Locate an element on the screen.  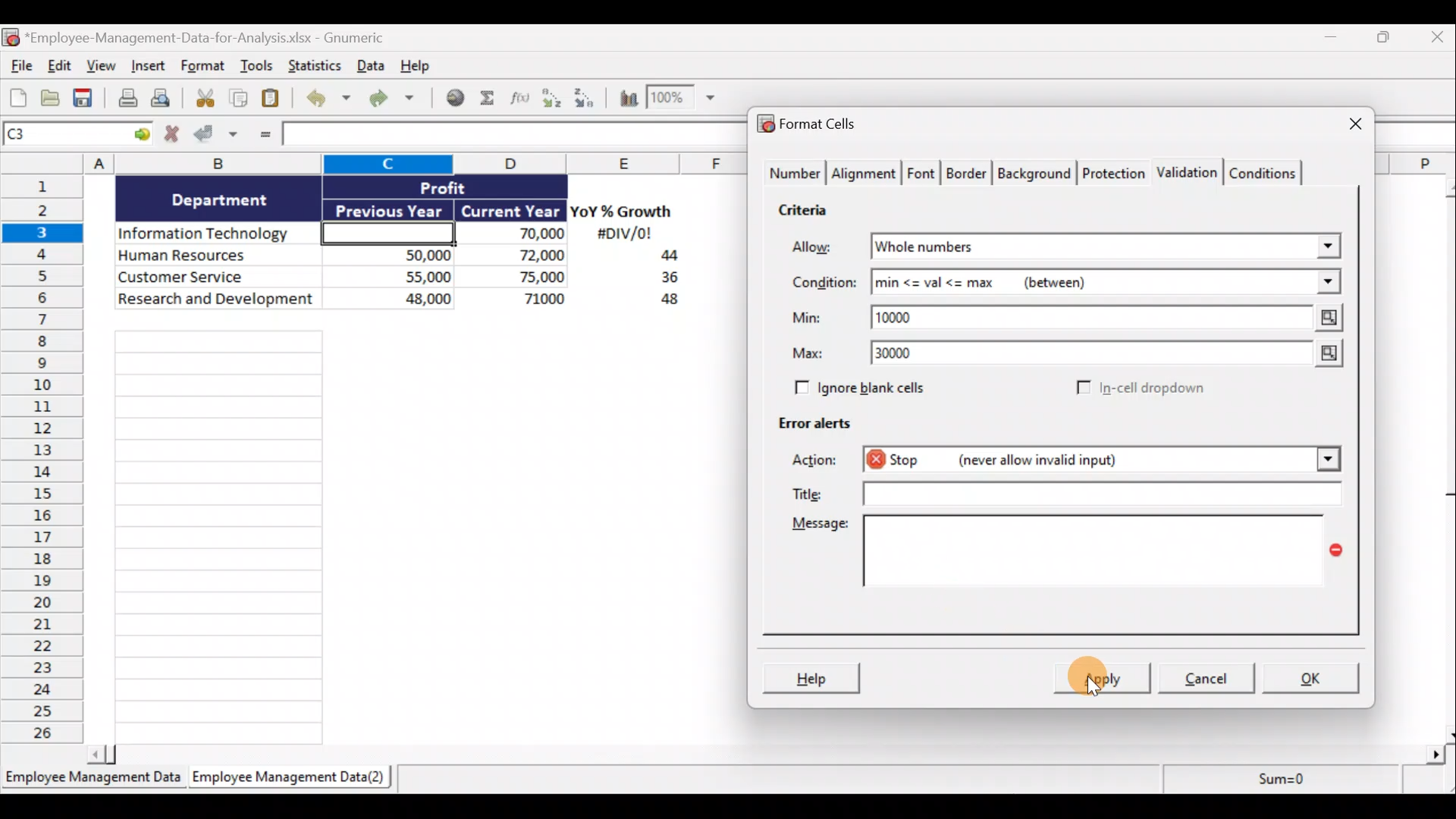
YoY% Growth is located at coordinates (622, 212).